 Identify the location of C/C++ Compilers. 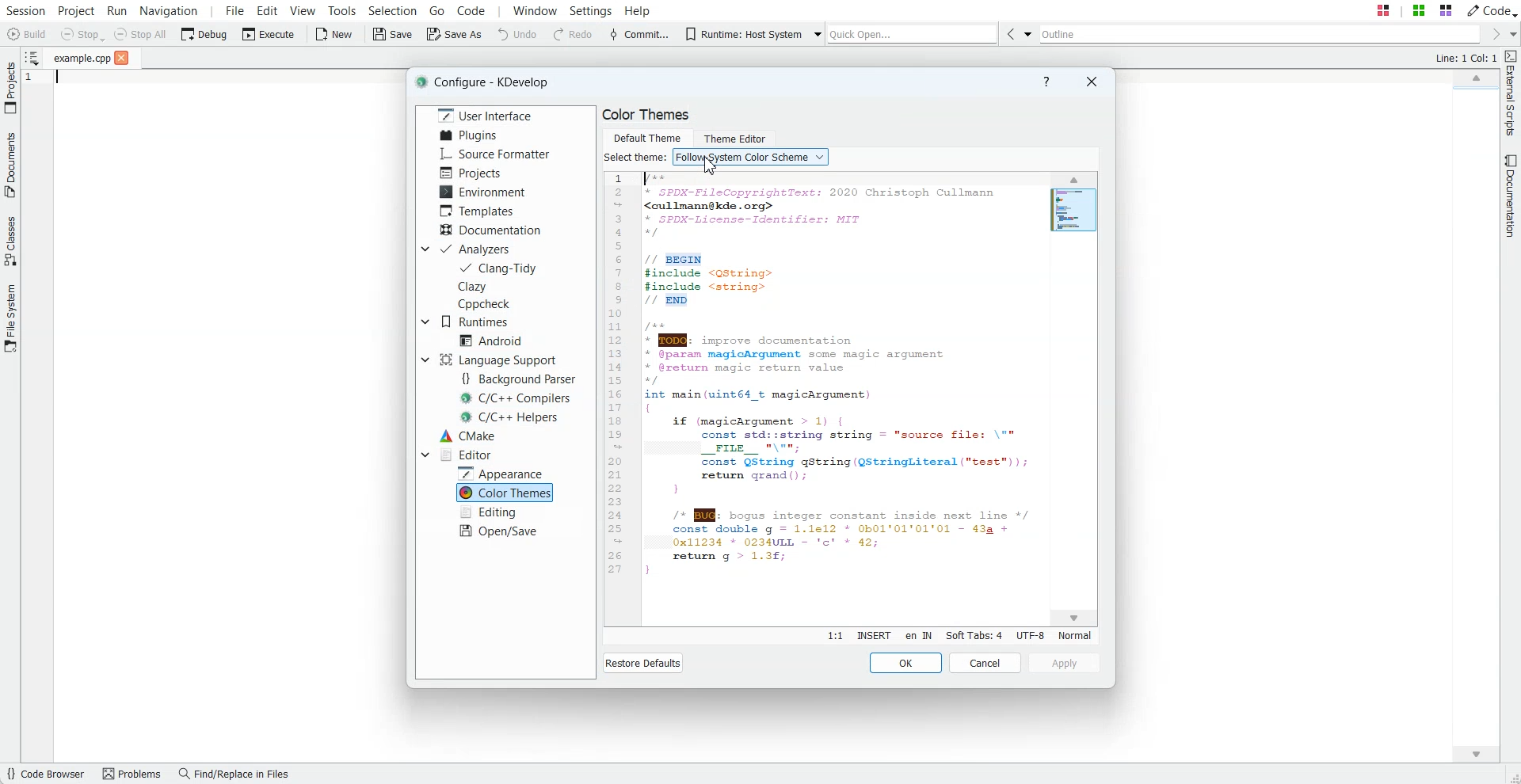
(517, 398).